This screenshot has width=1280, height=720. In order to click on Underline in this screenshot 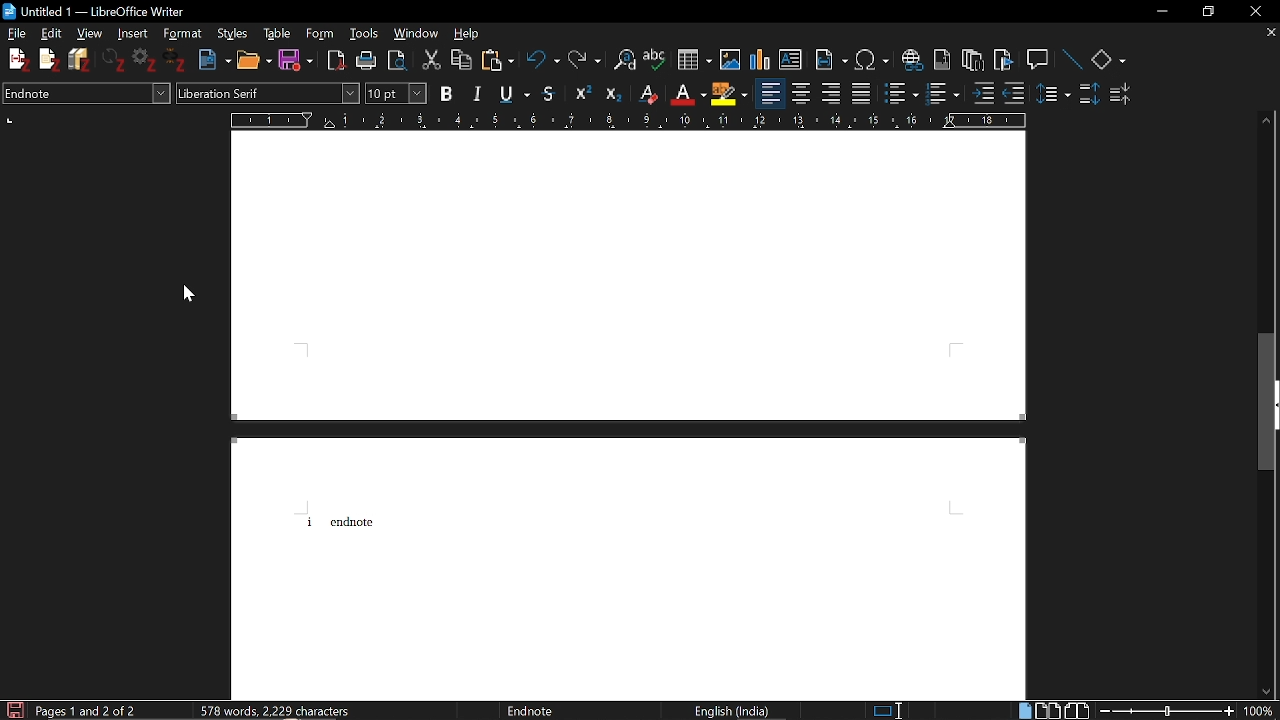, I will do `click(689, 95)`.